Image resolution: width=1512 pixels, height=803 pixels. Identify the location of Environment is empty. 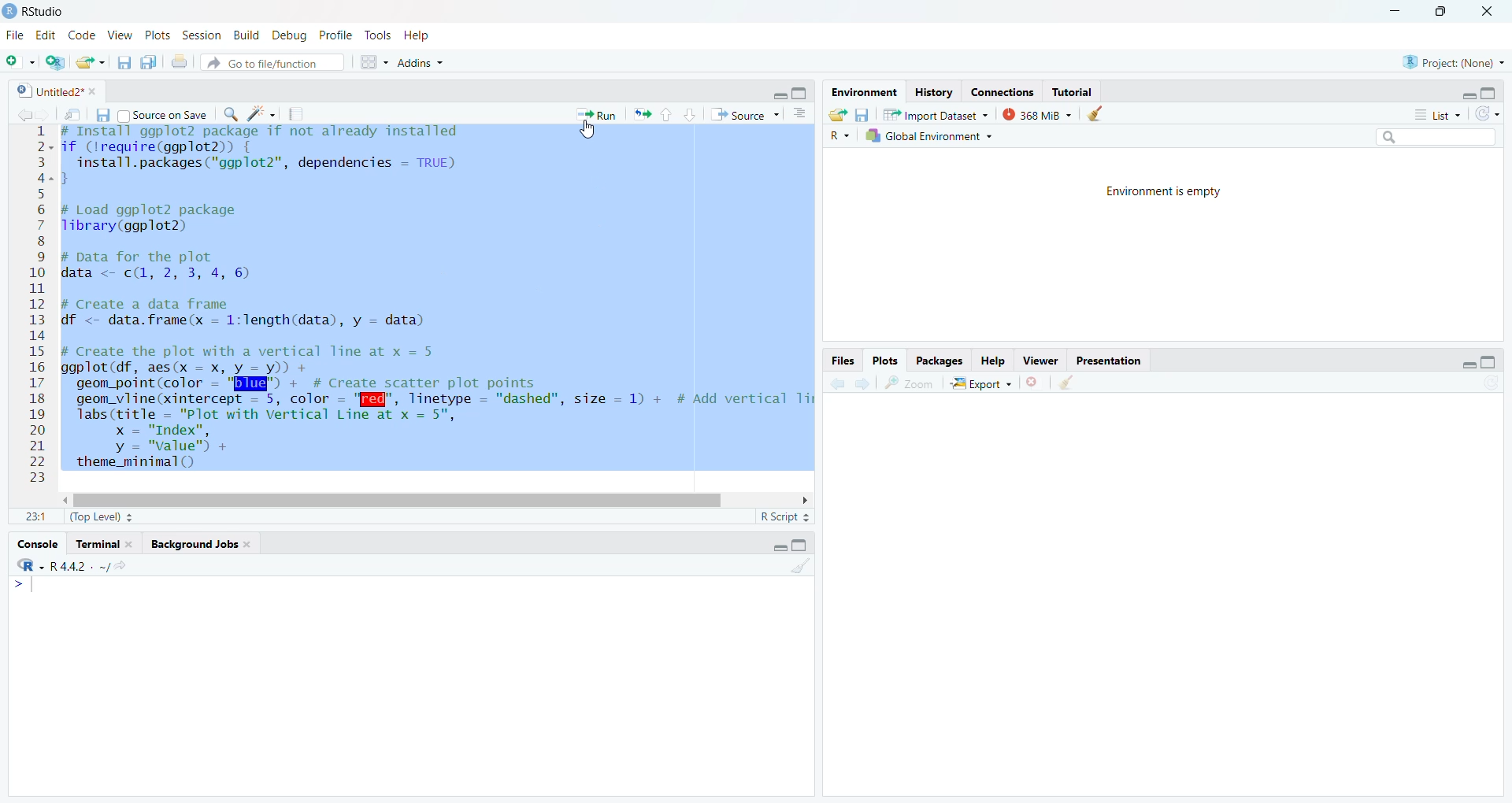
(1166, 192).